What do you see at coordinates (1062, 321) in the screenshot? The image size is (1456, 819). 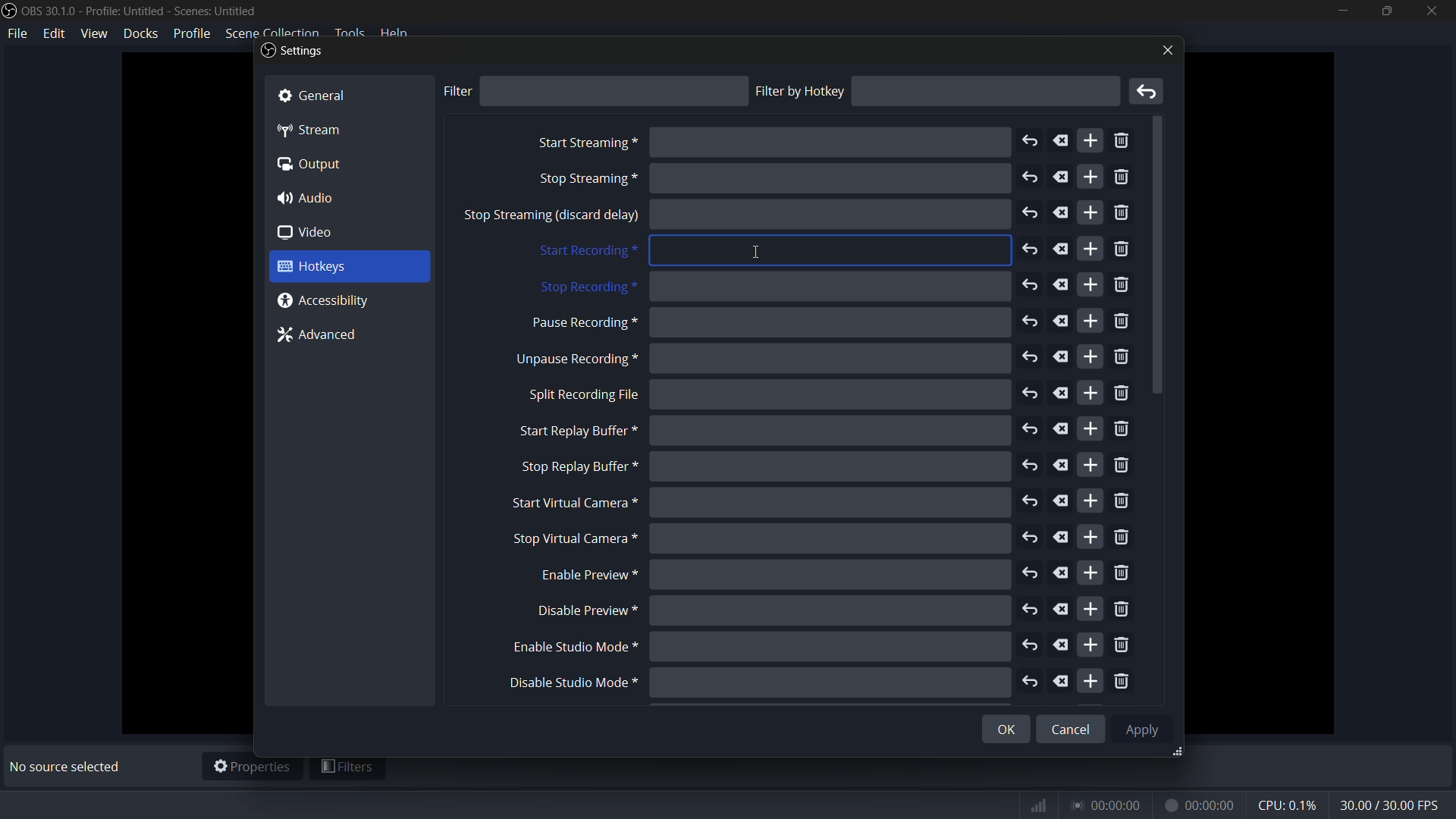 I see `delete` at bounding box center [1062, 321].